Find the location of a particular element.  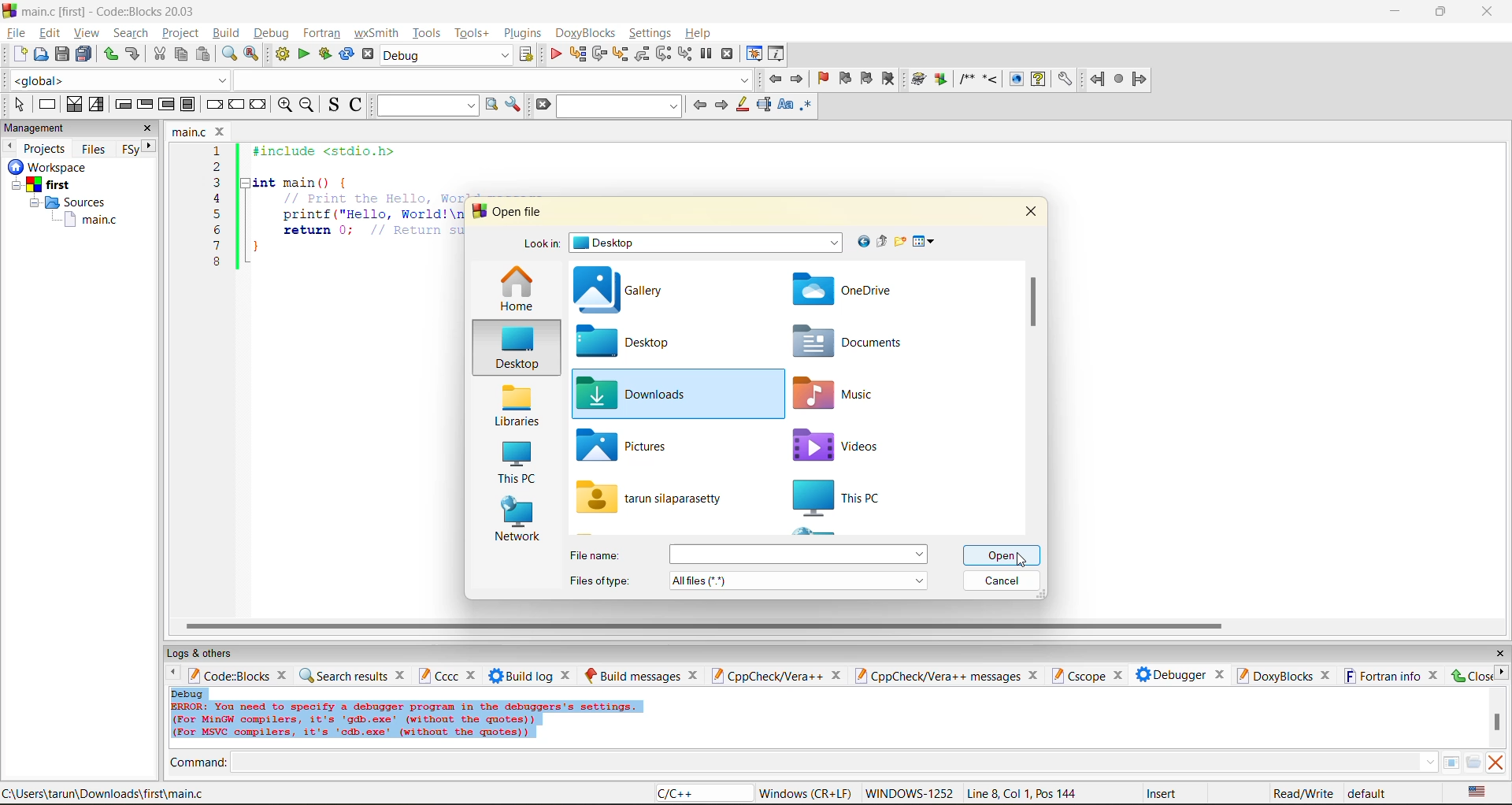

open file is located at coordinates (520, 212).